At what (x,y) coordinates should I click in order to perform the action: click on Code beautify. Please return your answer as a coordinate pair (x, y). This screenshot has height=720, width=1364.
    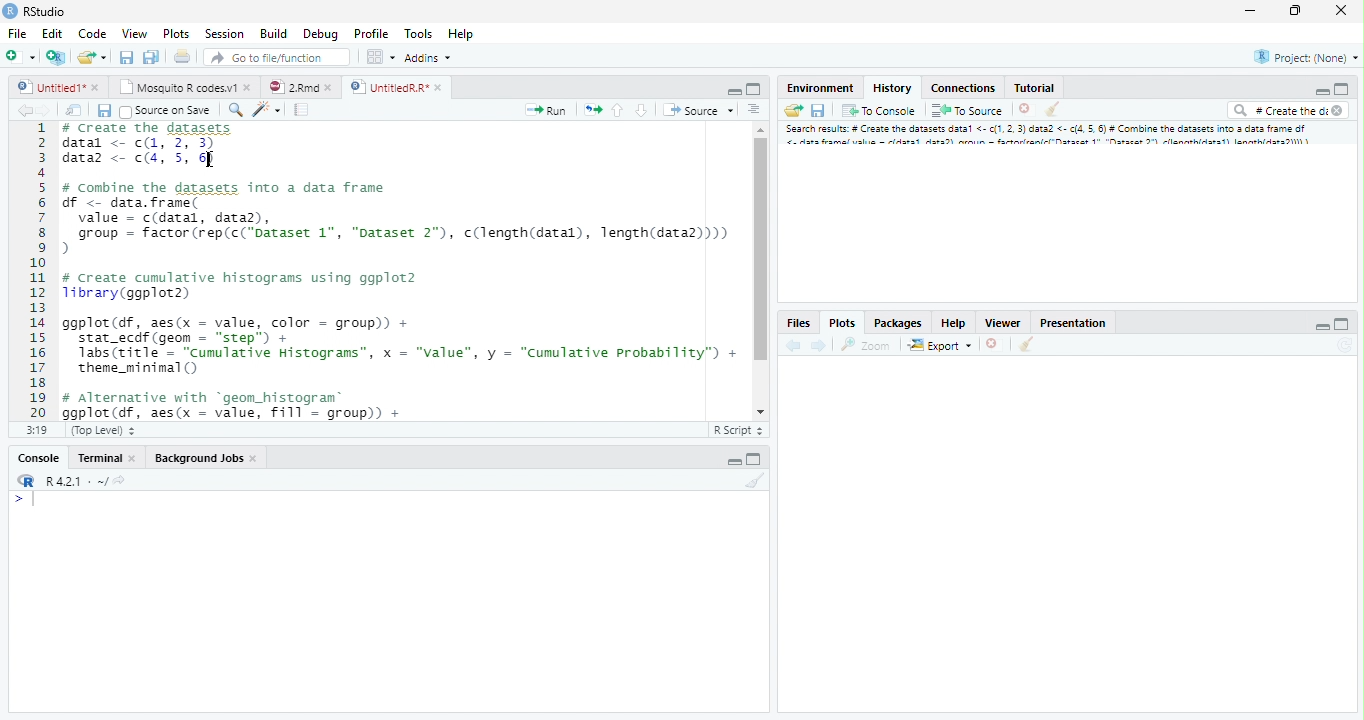
    Looking at the image, I should click on (269, 110).